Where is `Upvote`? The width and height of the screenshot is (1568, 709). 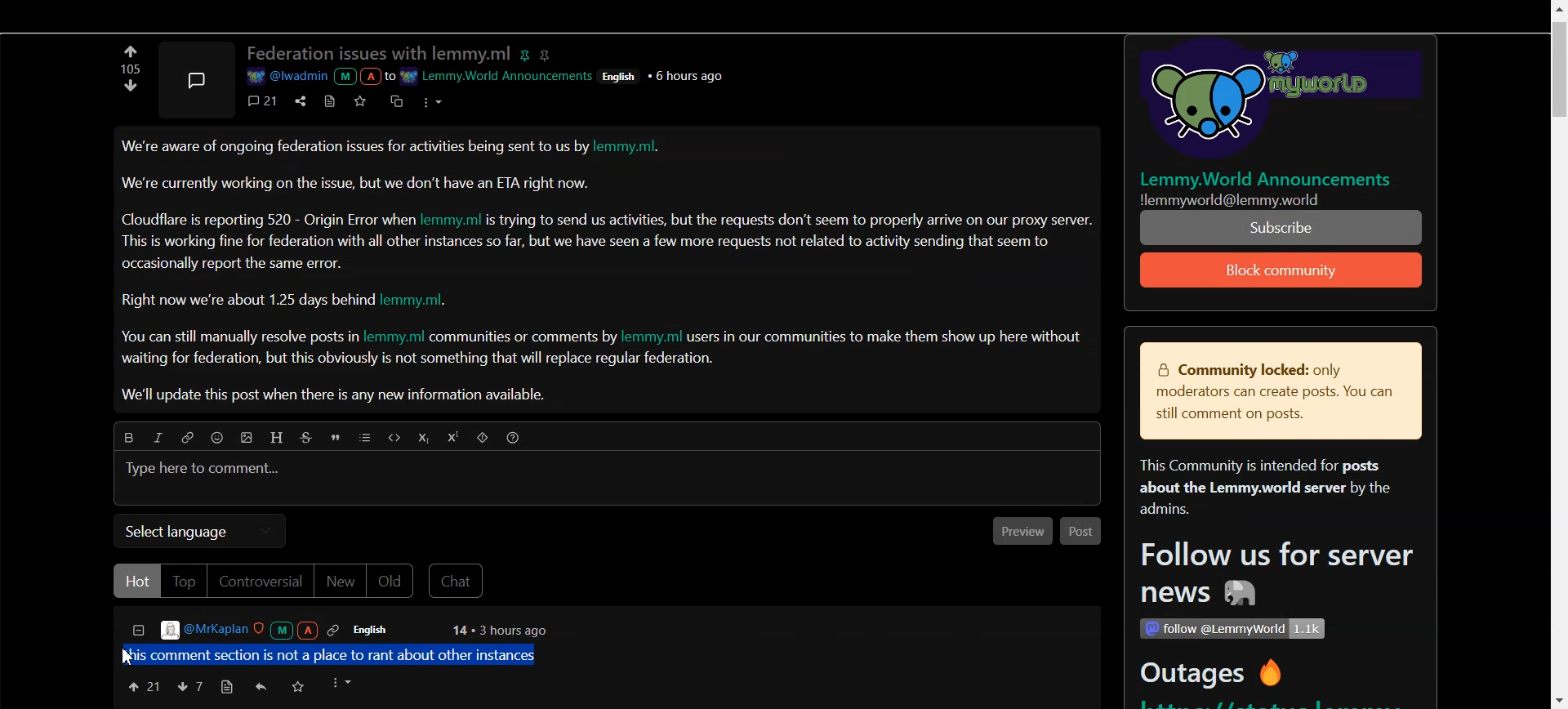 Upvote is located at coordinates (143, 685).